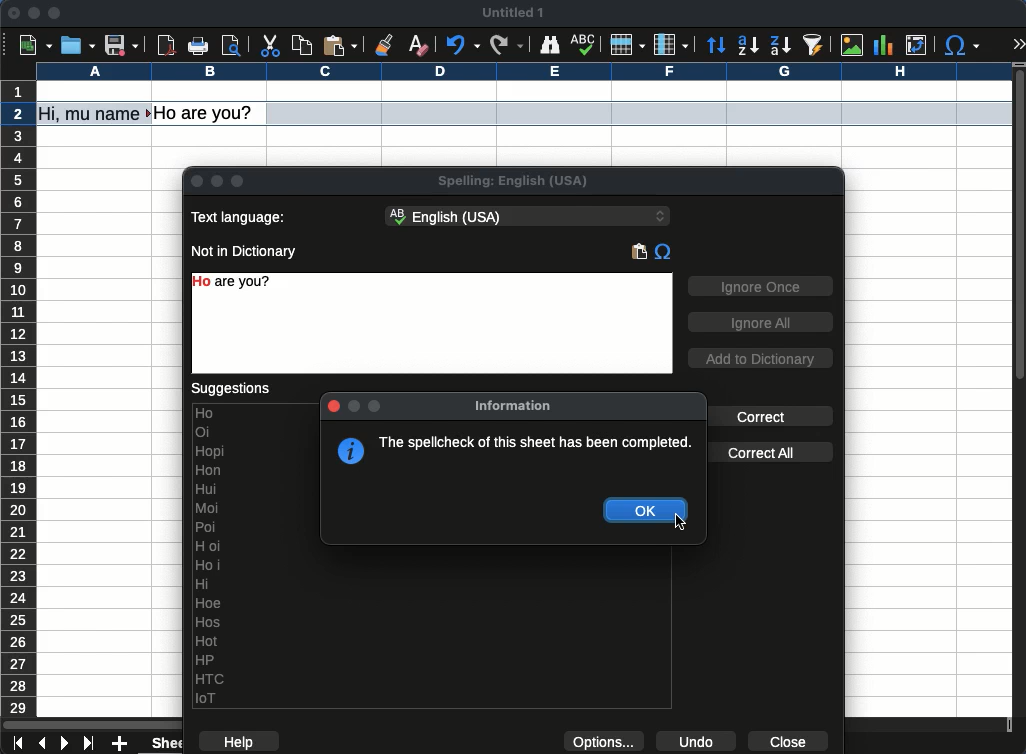 Image resolution: width=1026 pixels, height=754 pixels. Describe the element at coordinates (512, 12) in the screenshot. I see `untitled 1` at that location.